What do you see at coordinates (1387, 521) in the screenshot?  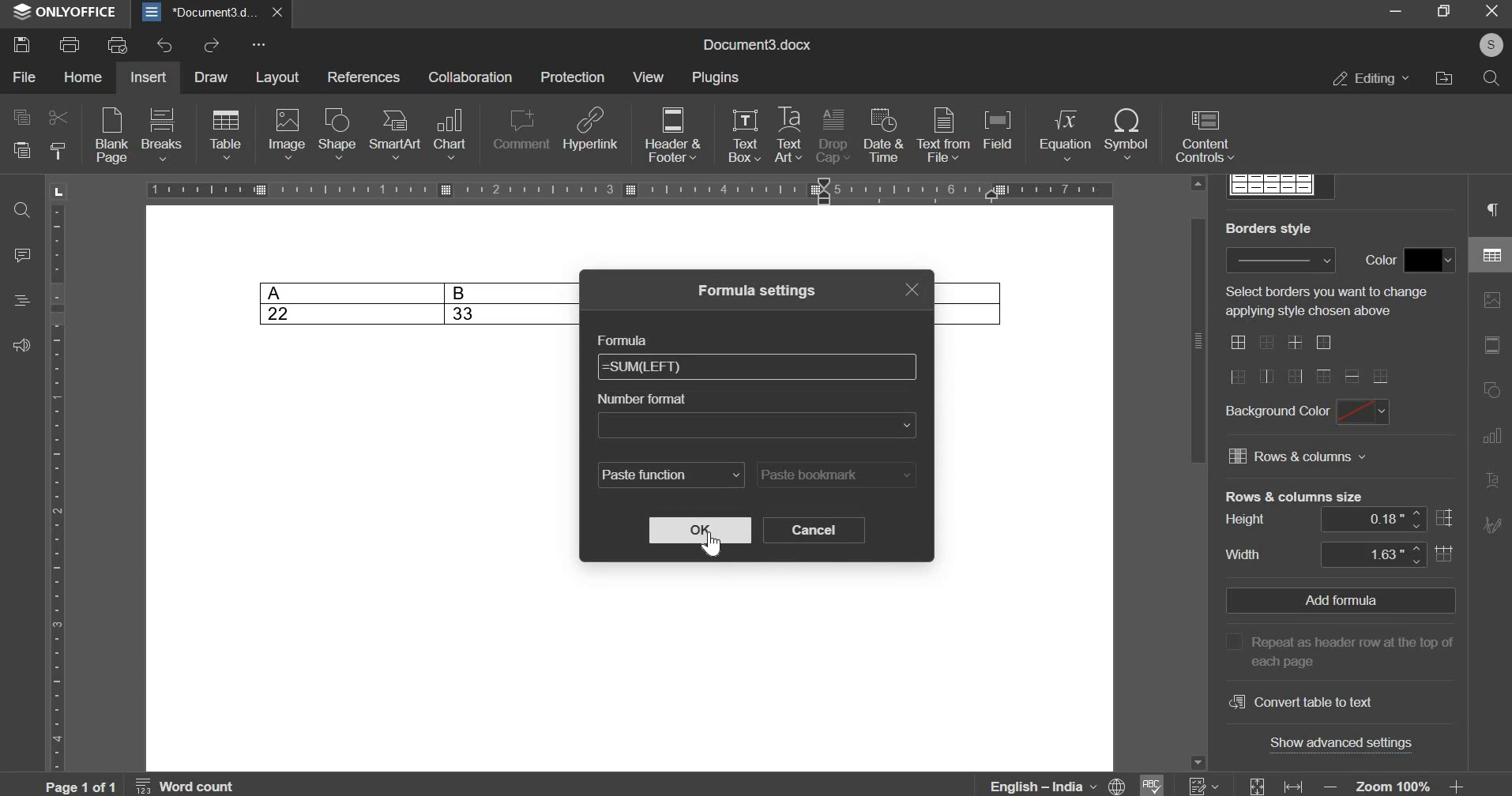 I see `height` at bounding box center [1387, 521].